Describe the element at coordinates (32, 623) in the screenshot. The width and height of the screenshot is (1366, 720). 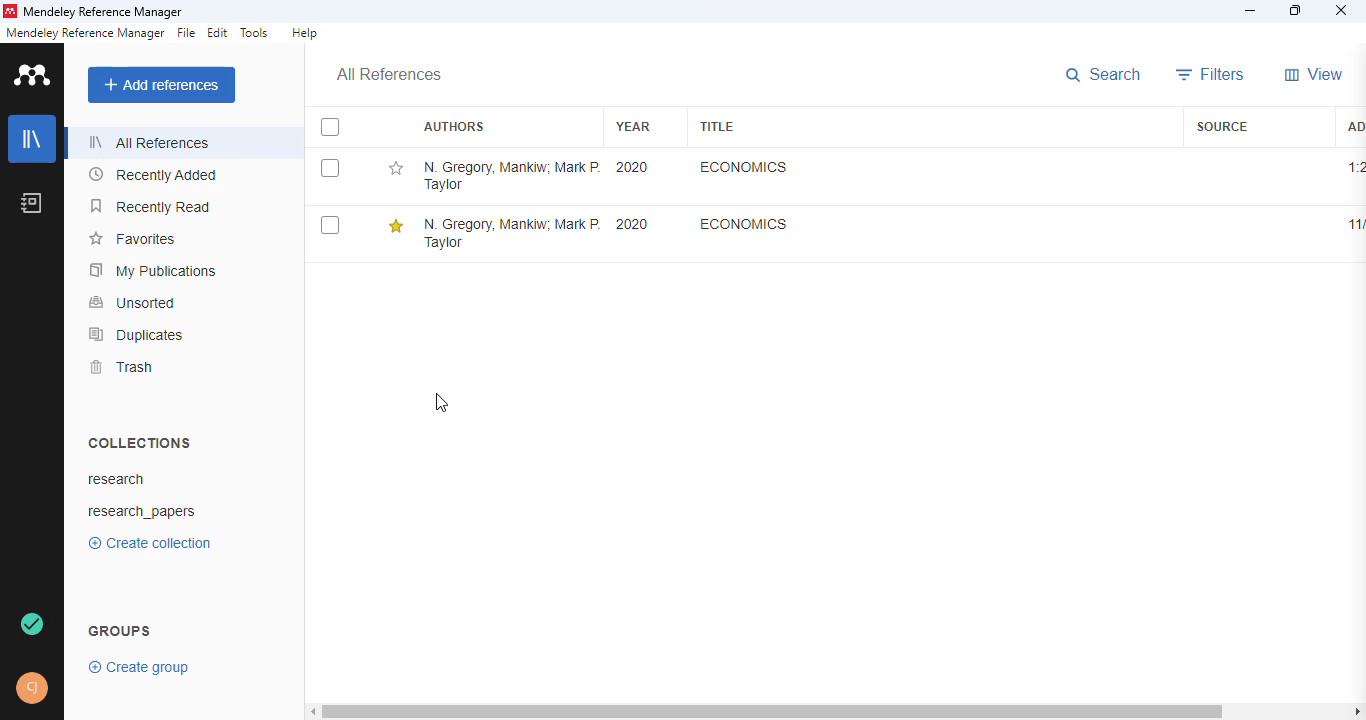
I see `favorite reference synced & saved` at that location.